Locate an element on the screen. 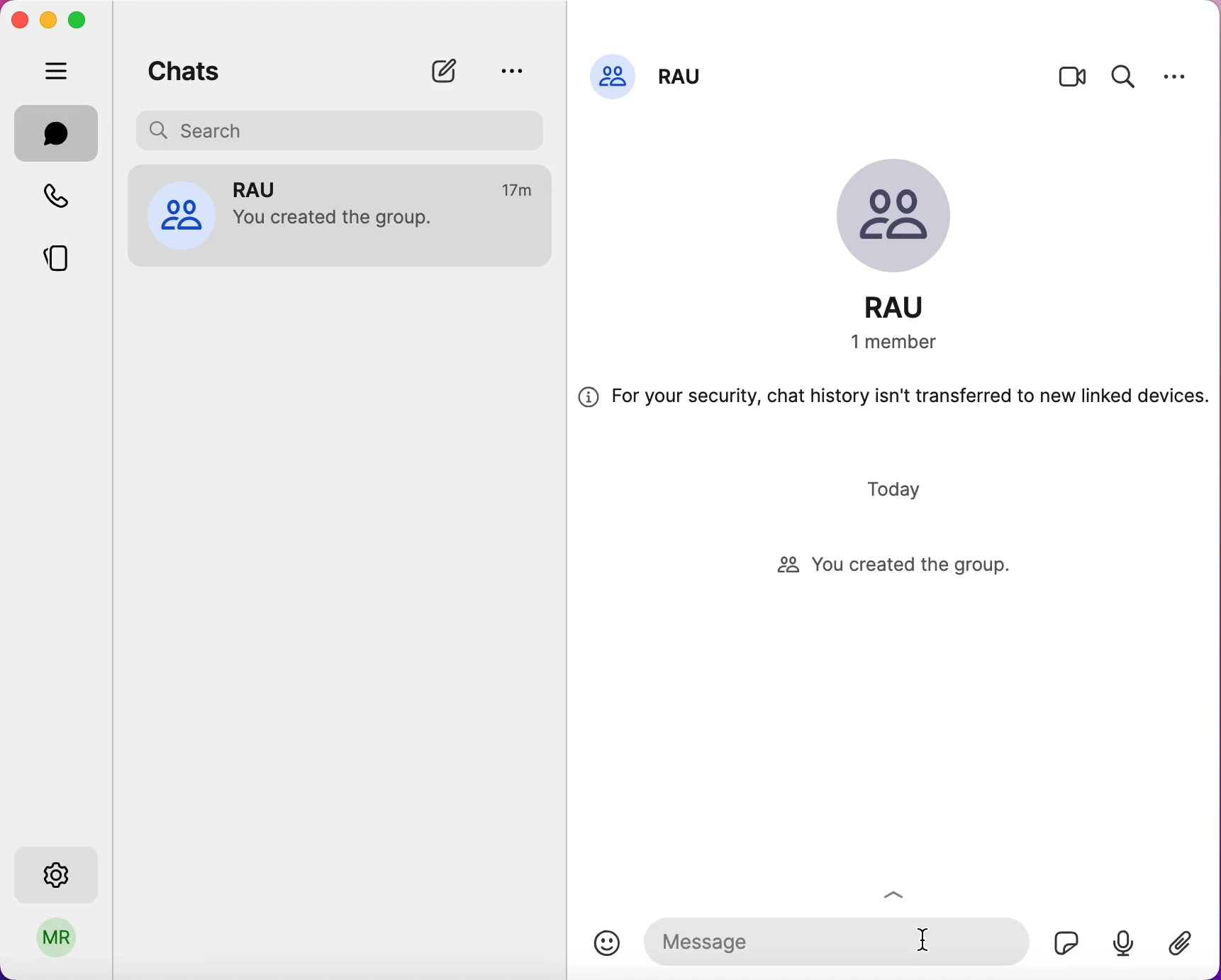 The image size is (1221, 980). group name is located at coordinates (684, 72).